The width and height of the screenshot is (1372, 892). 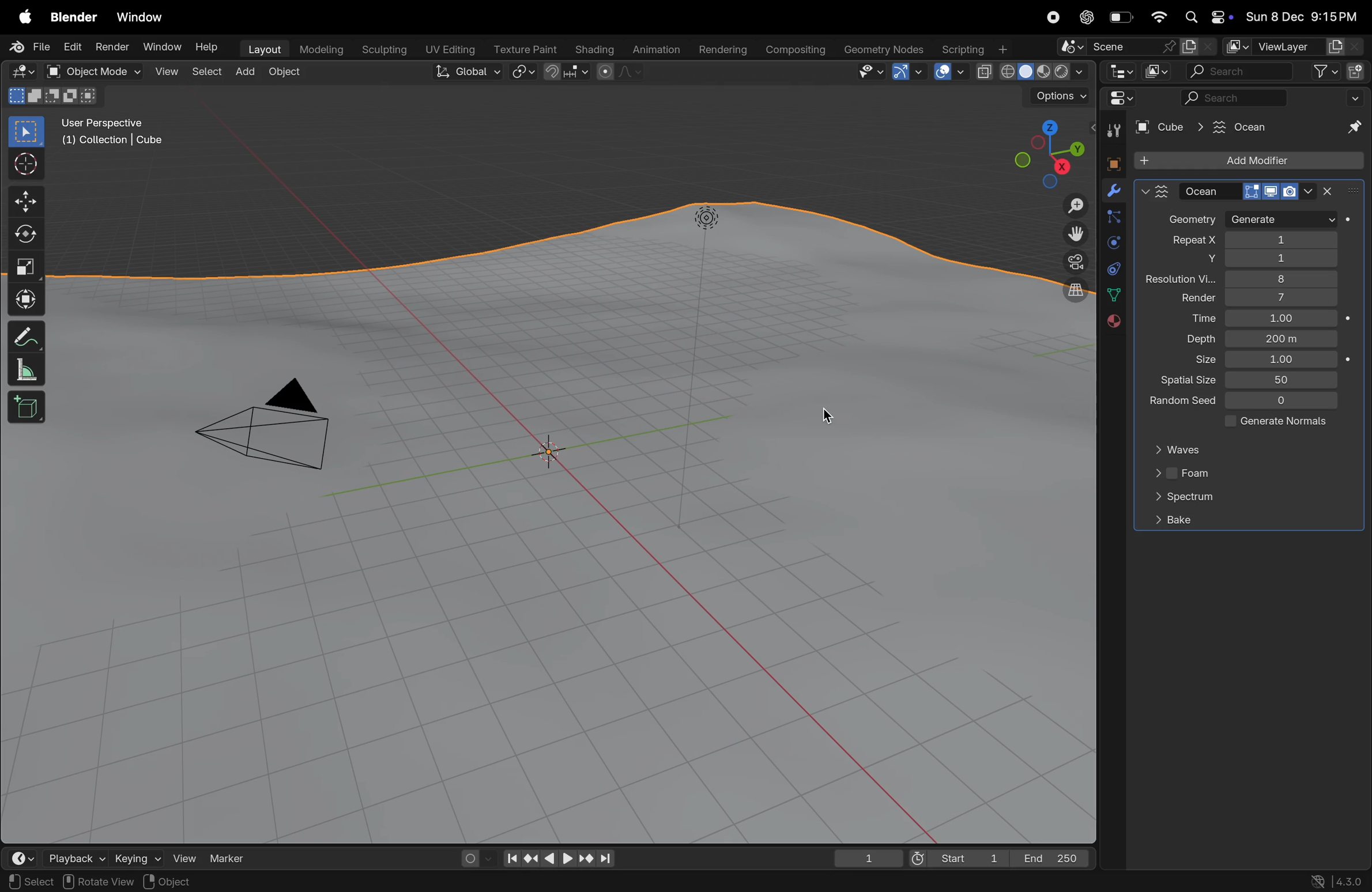 I want to click on 1, so click(x=1280, y=319).